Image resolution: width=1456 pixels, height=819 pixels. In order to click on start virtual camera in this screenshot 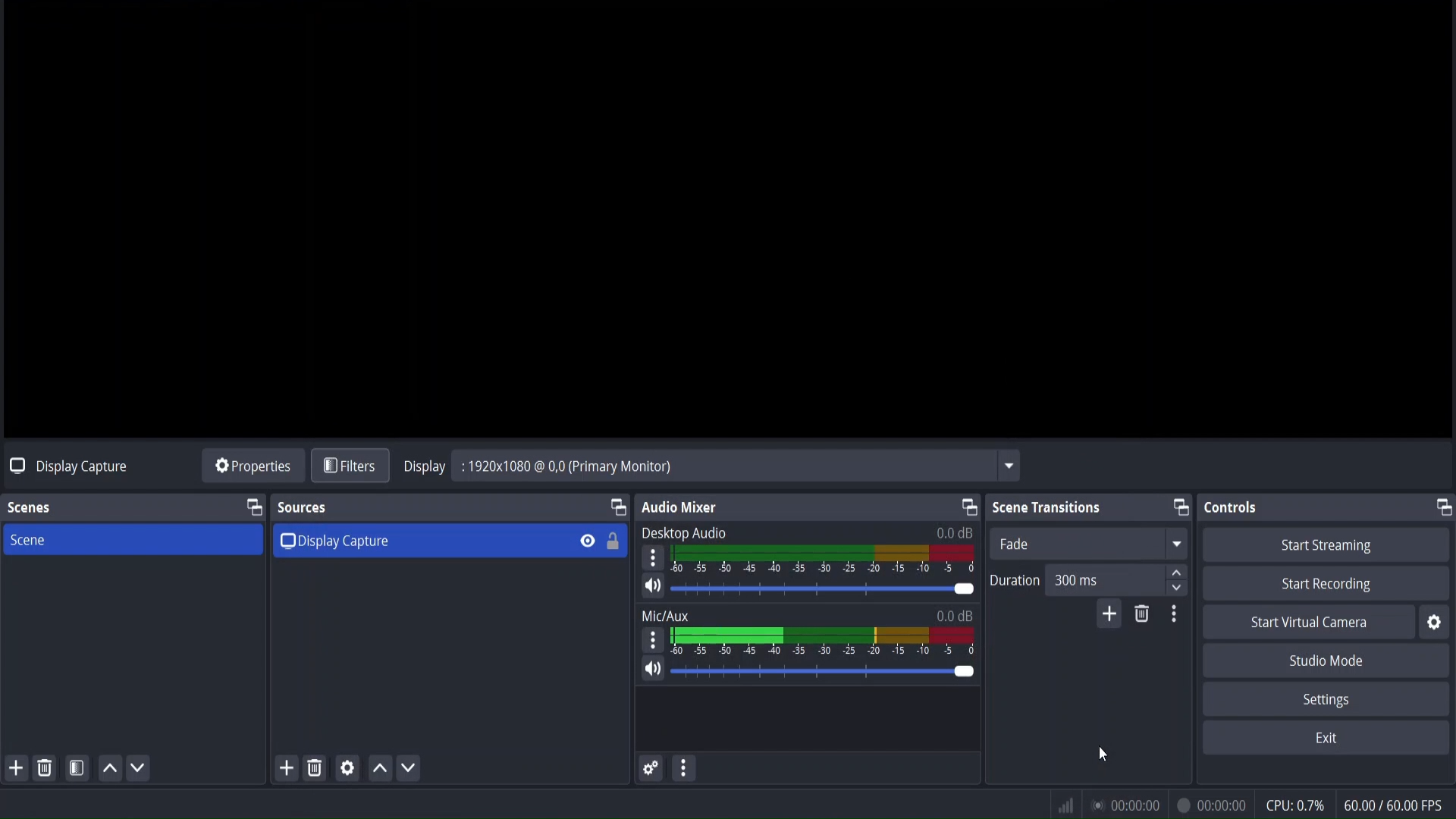, I will do `click(1310, 623)`.